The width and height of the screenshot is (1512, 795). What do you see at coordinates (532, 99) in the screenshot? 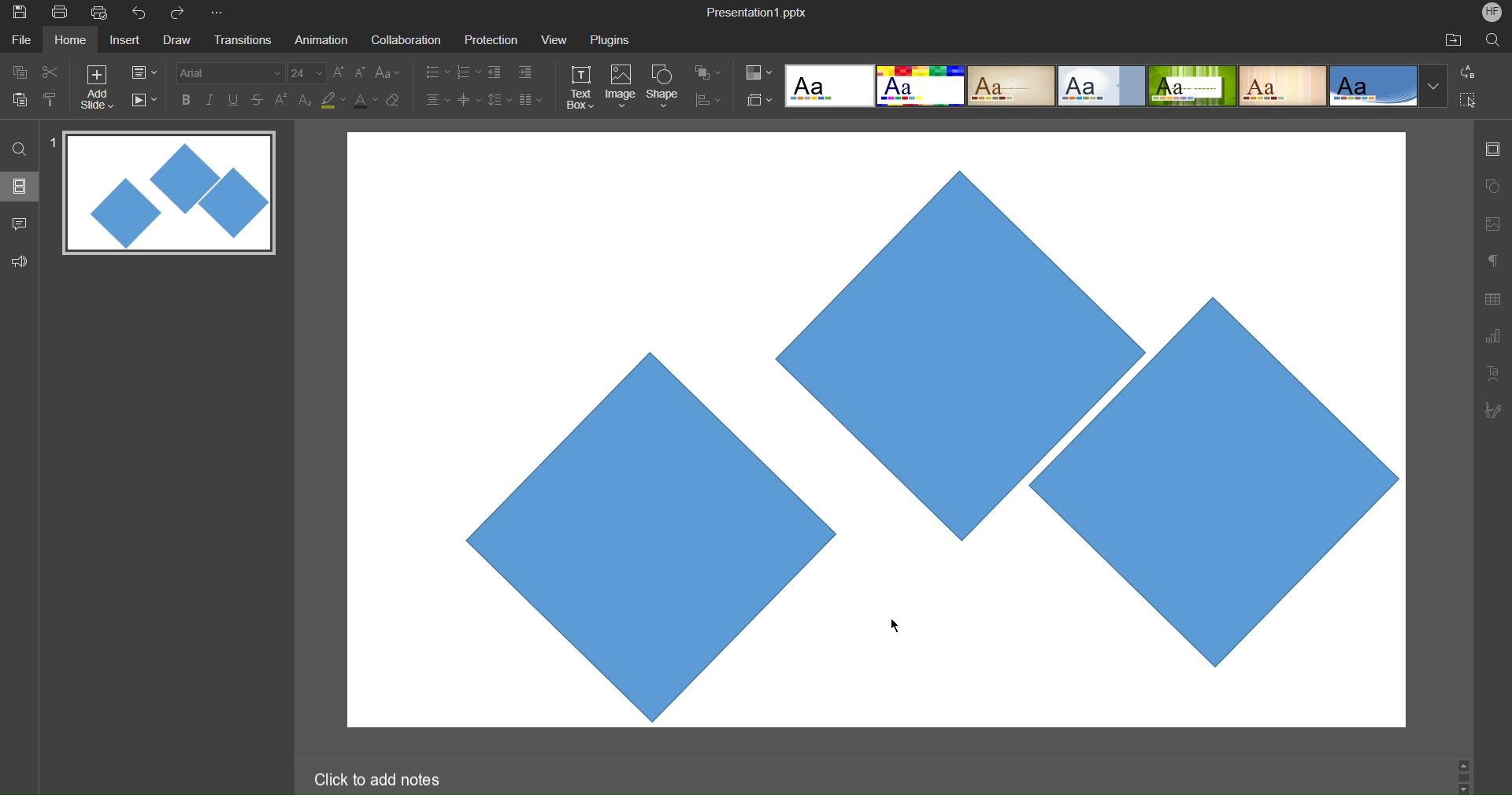
I see `Columns` at bounding box center [532, 99].